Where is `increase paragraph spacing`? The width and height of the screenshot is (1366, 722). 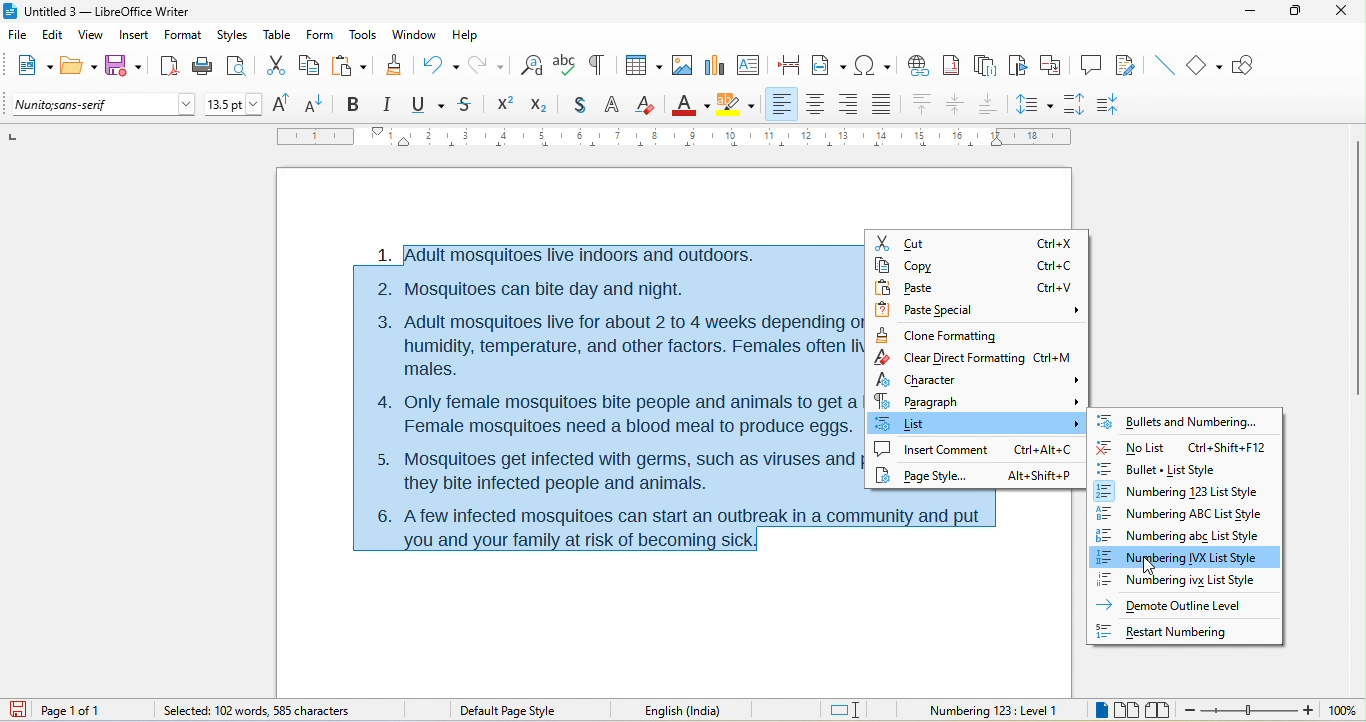 increase paragraph spacing is located at coordinates (1080, 105).